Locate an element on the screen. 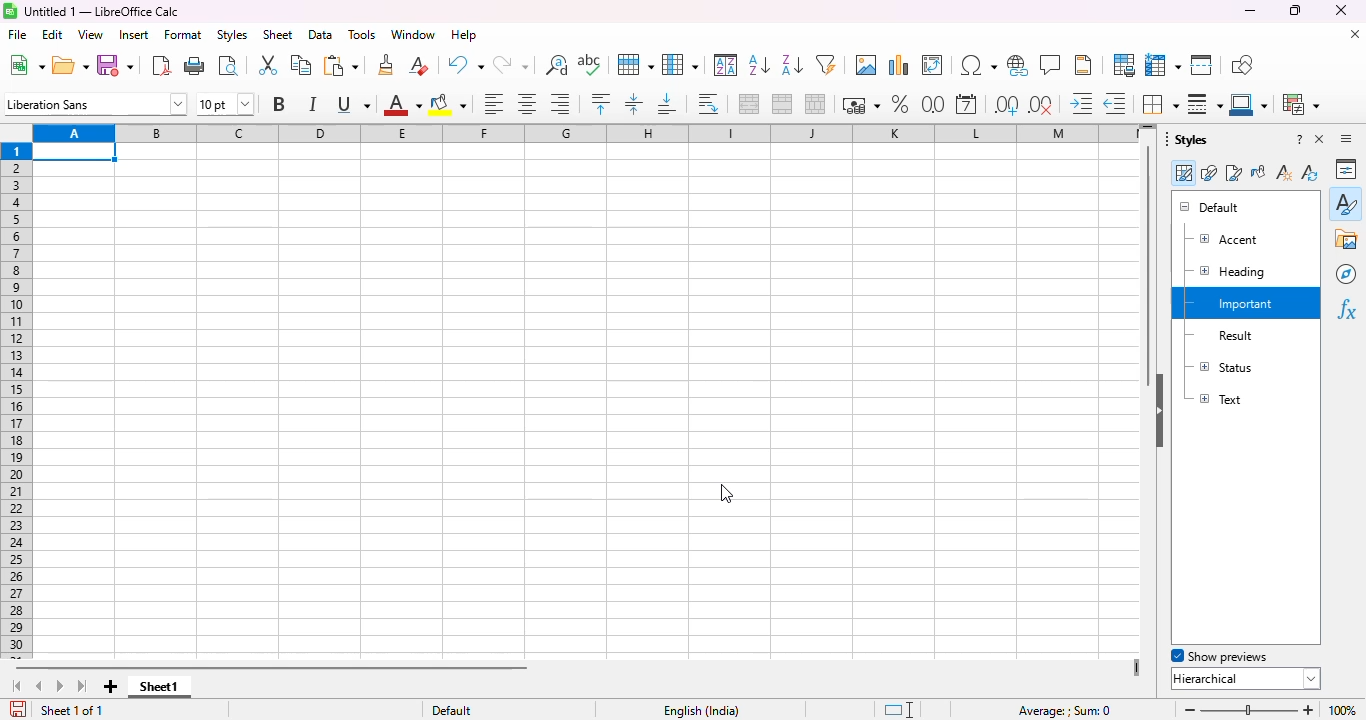 Image resolution: width=1366 pixels, height=720 pixels. edit is located at coordinates (52, 35).